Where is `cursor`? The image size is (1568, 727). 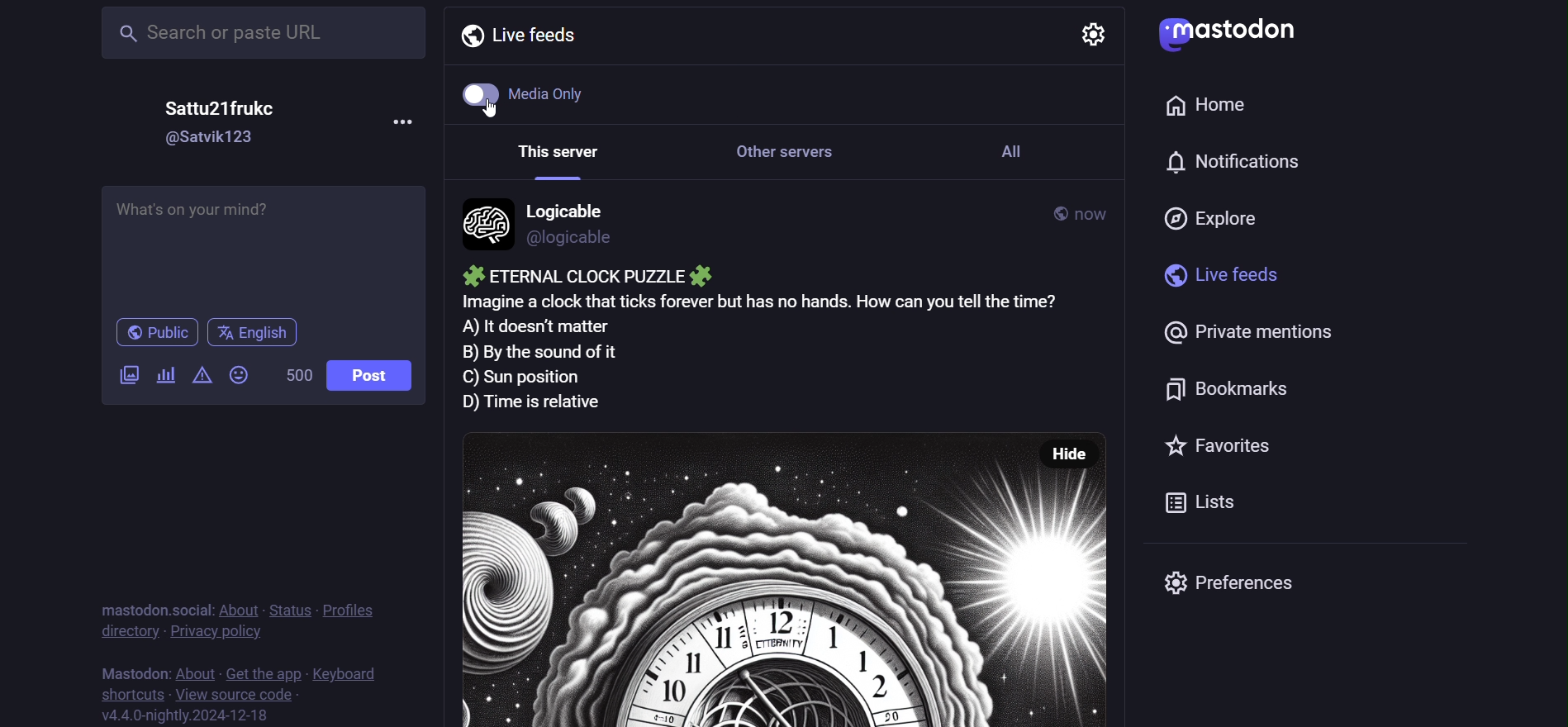
cursor is located at coordinates (495, 112).